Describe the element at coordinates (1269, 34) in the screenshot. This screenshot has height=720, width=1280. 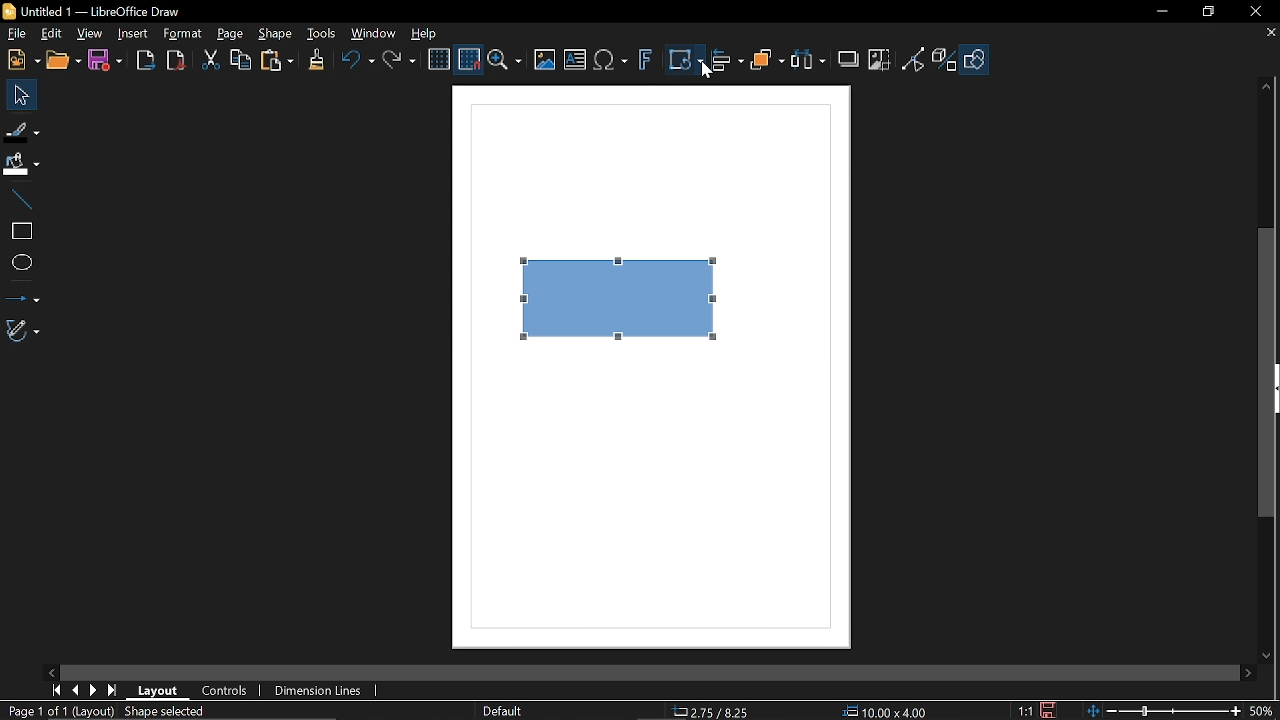
I see `Close tab` at that location.